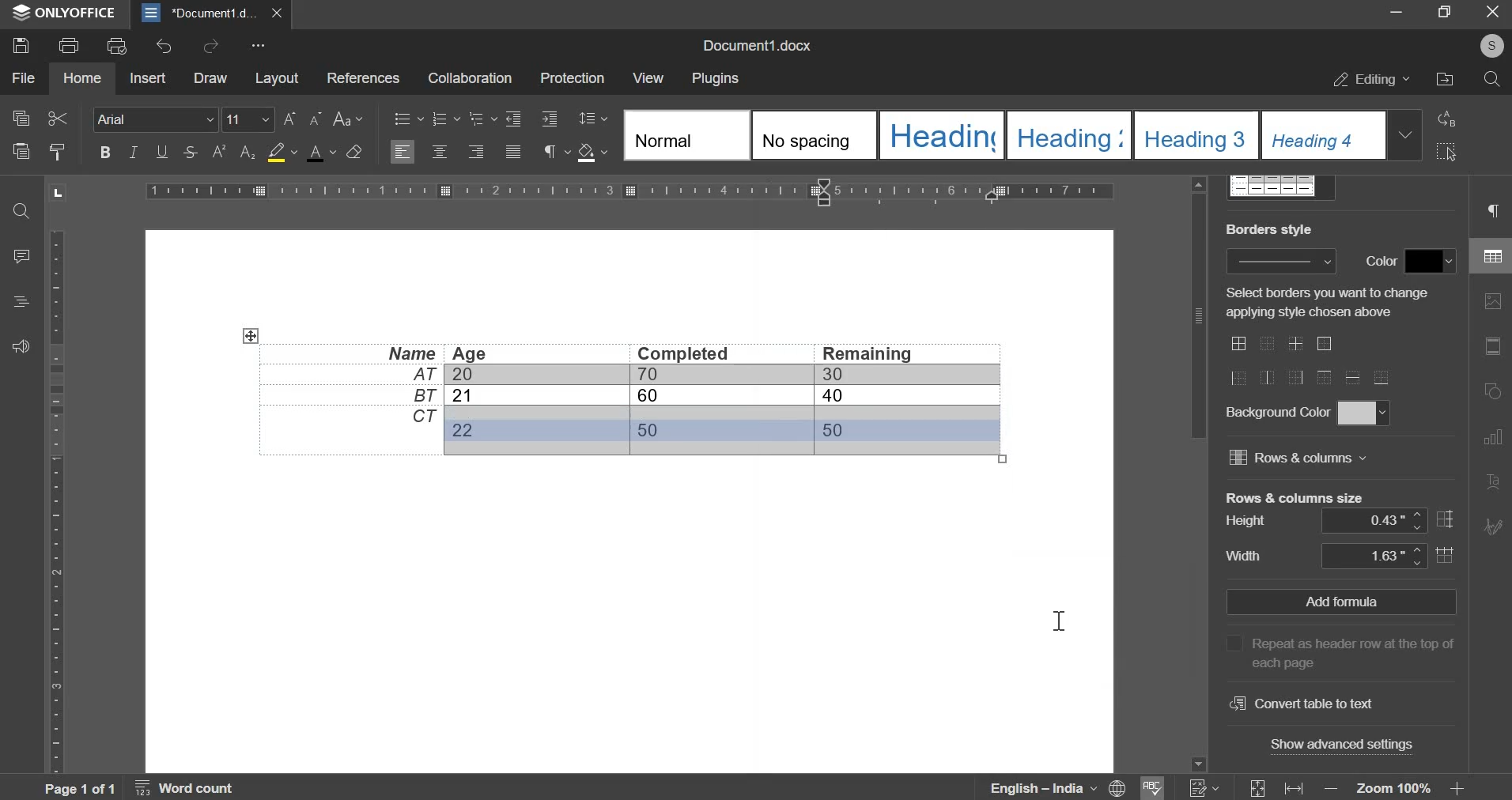  Describe the element at coordinates (550, 117) in the screenshot. I see `decrease indent` at that location.